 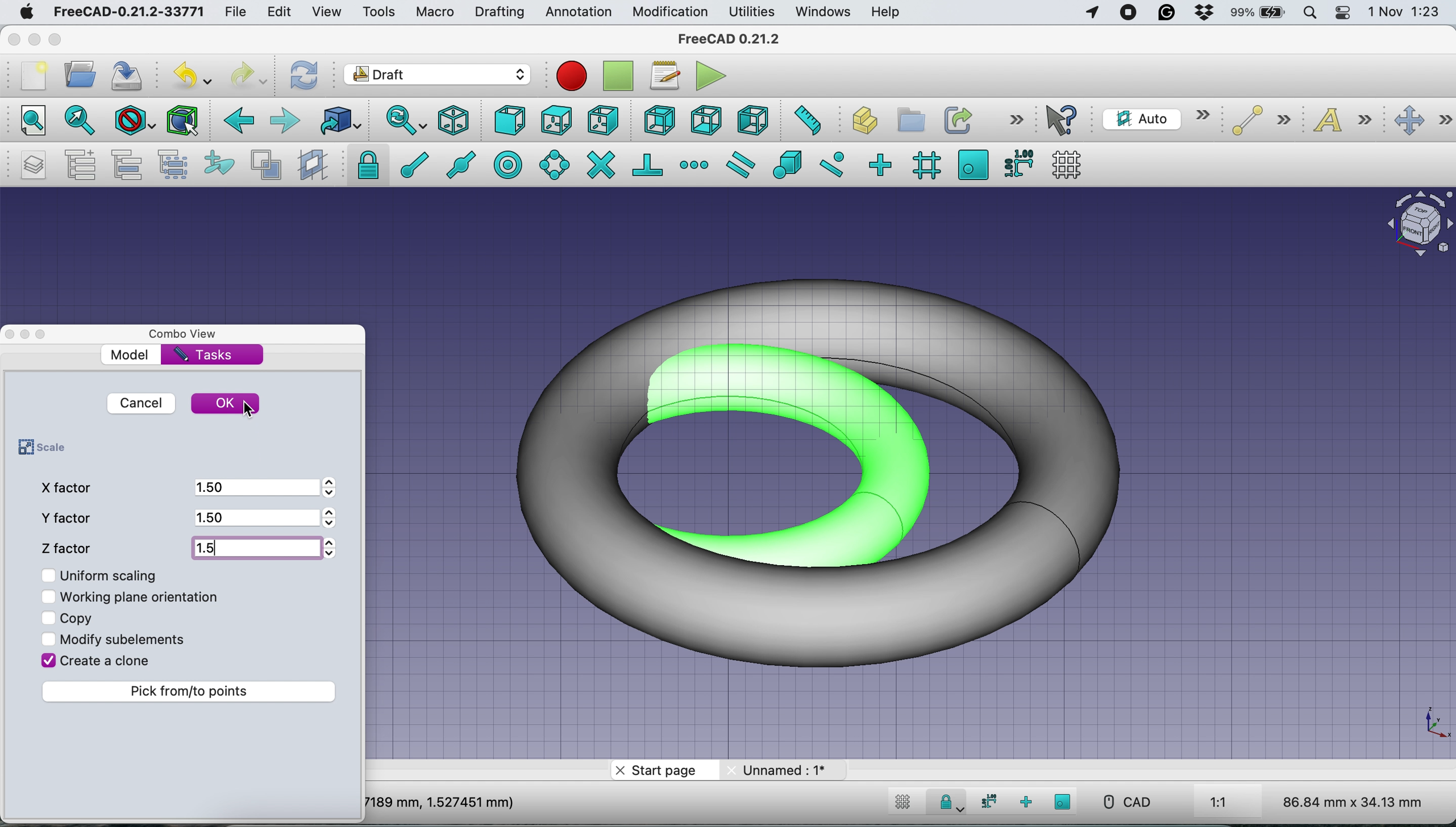 I want to click on screen recorder, so click(x=1129, y=15).